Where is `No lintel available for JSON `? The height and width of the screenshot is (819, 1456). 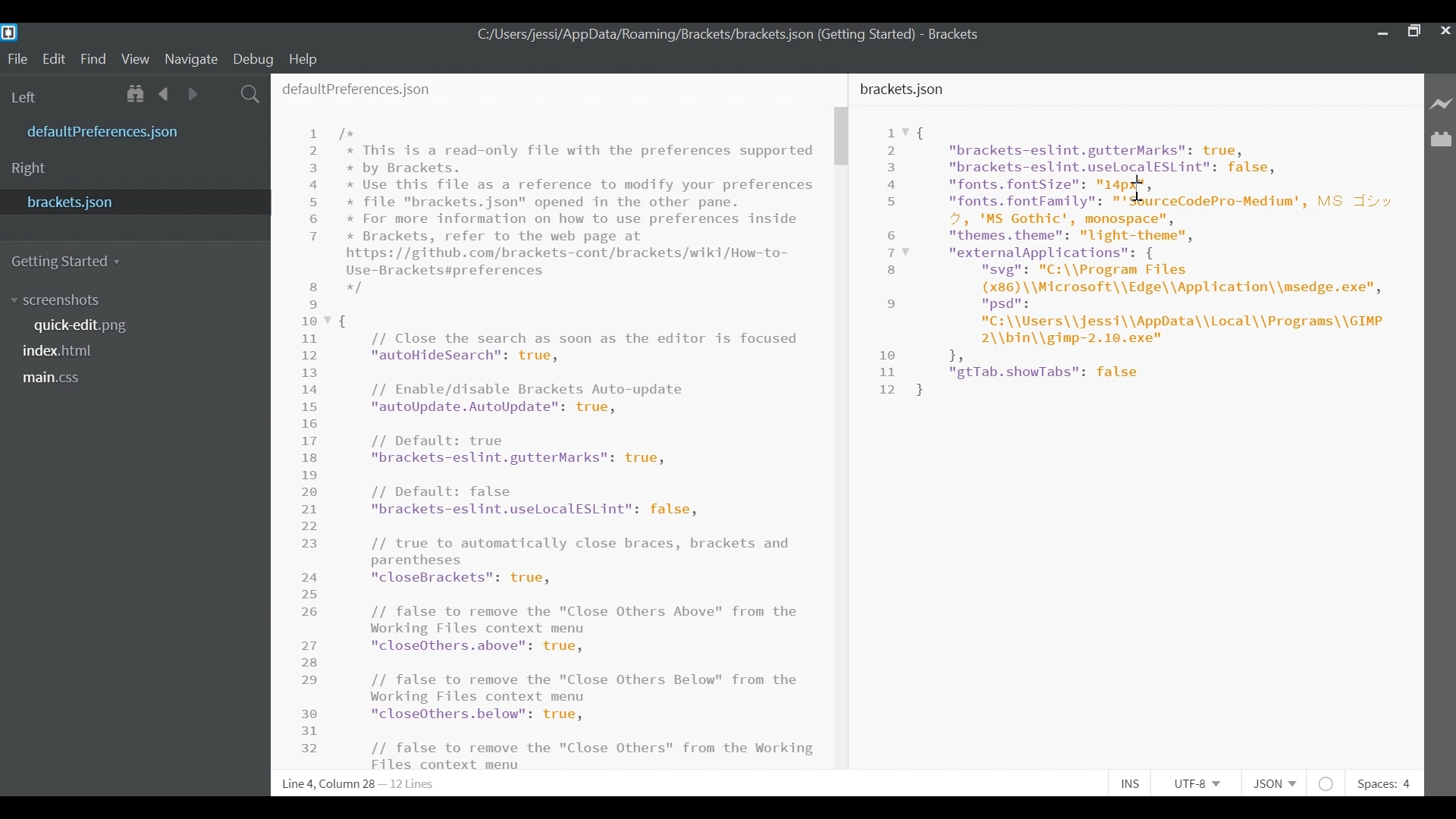
No lintel available for JSON  is located at coordinates (1327, 781).